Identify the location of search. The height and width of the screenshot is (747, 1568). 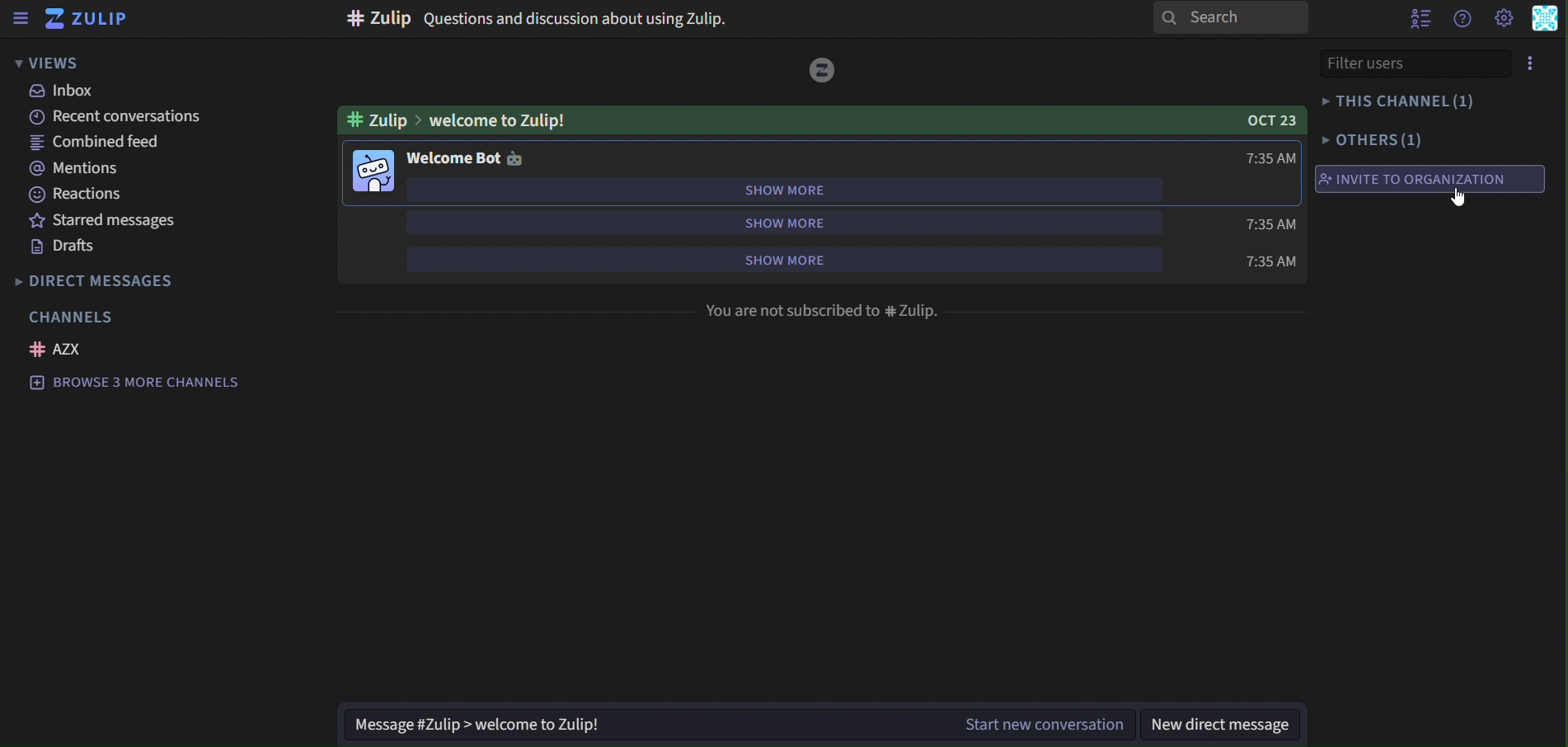
(1229, 18).